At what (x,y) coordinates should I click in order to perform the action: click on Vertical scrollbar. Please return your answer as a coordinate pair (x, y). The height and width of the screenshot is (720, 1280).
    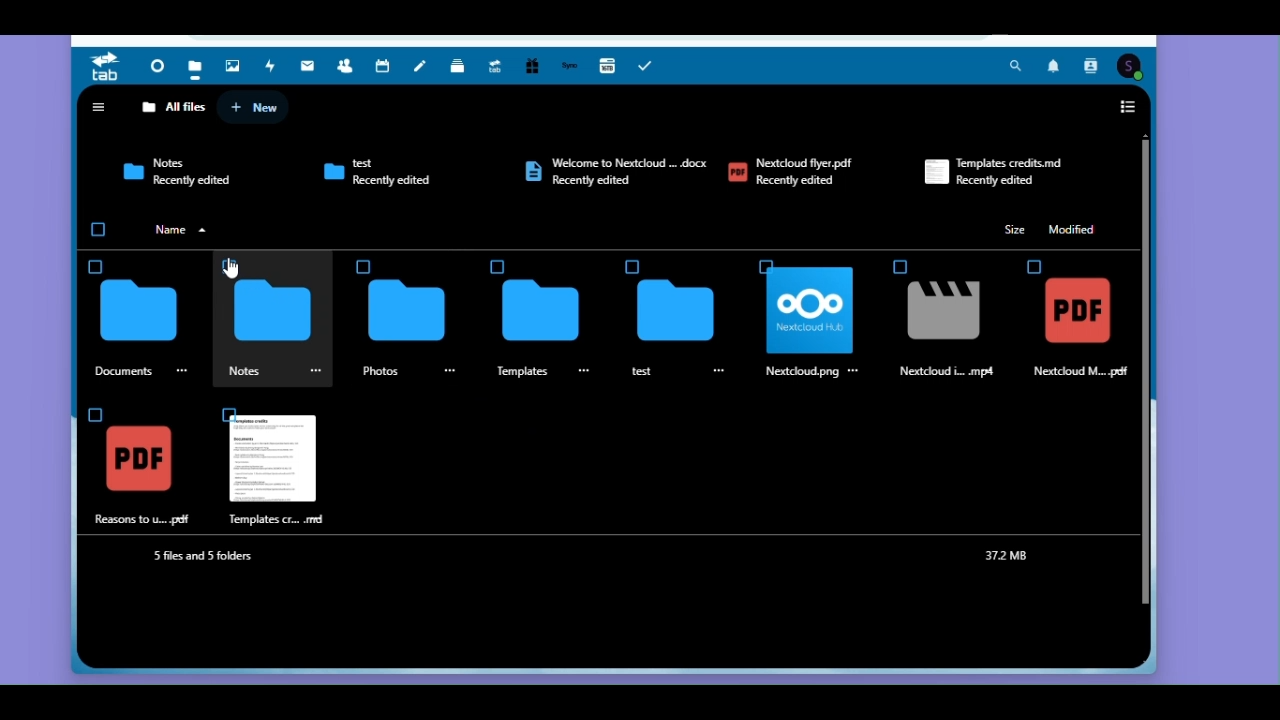
    Looking at the image, I should click on (1146, 371).